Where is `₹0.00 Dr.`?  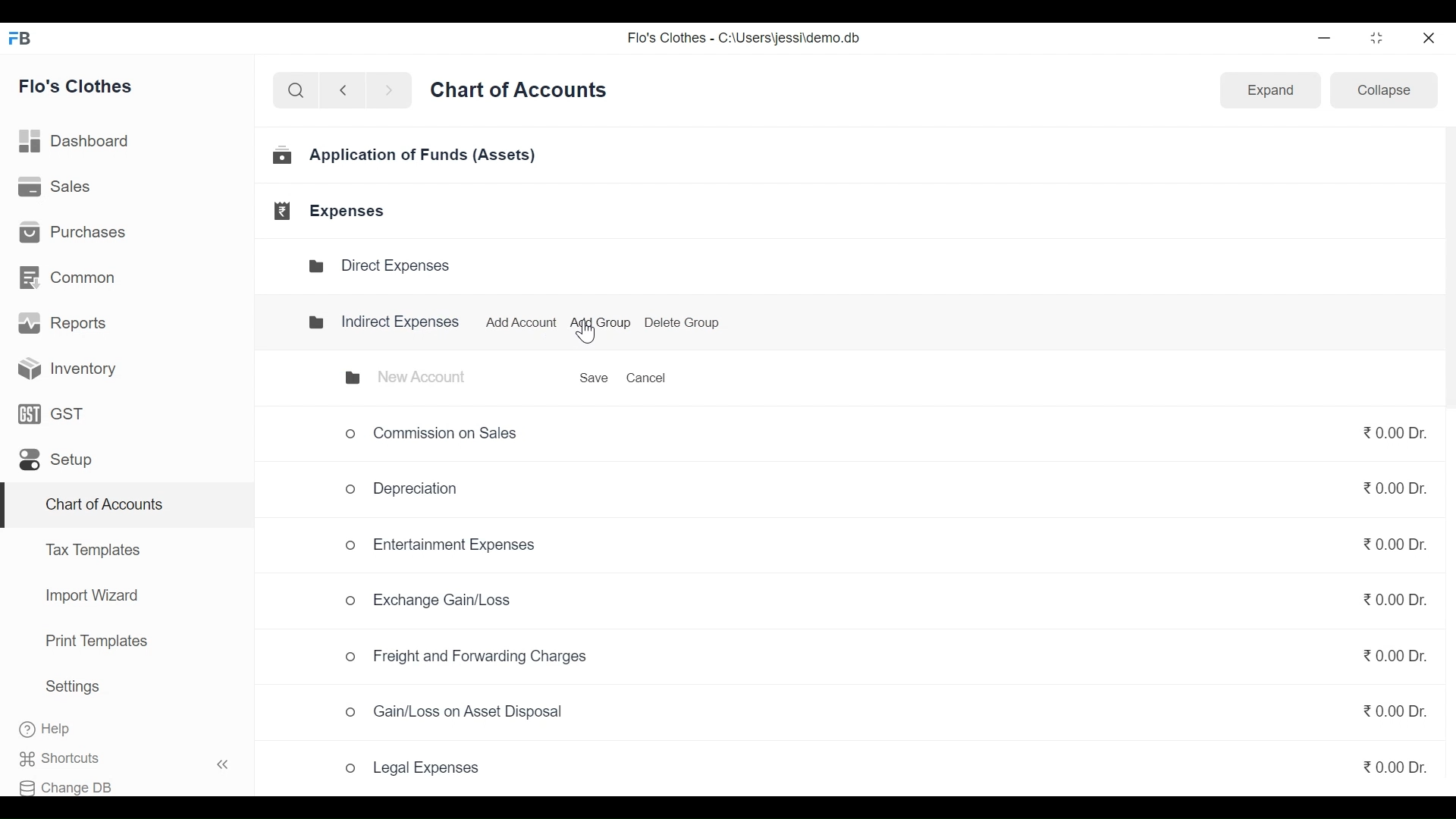 ₹0.00 Dr. is located at coordinates (1393, 657).